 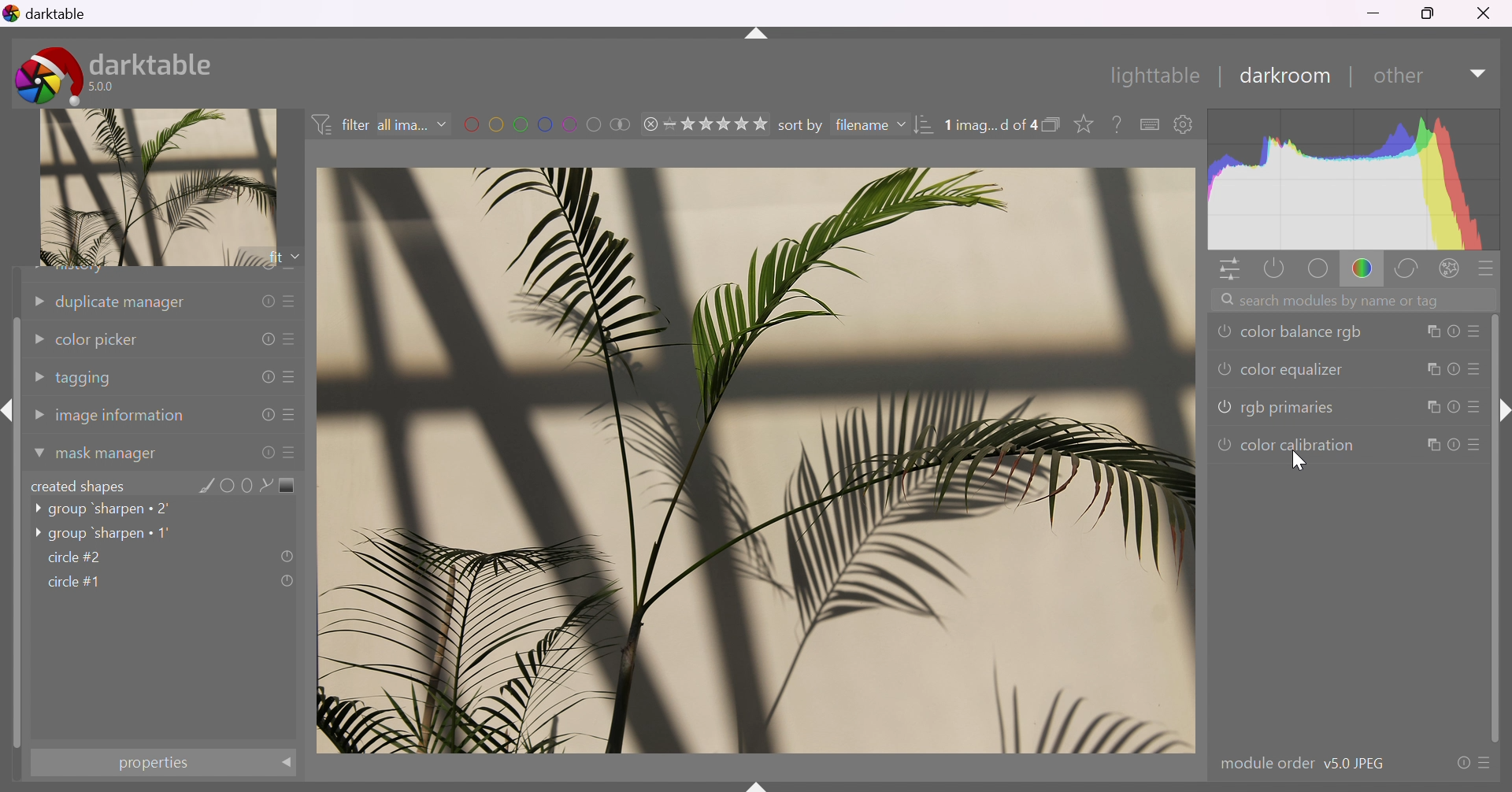 What do you see at coordinates (703, 124) in the screenshot?
I see `range rating` at bounding box center [703, 124].